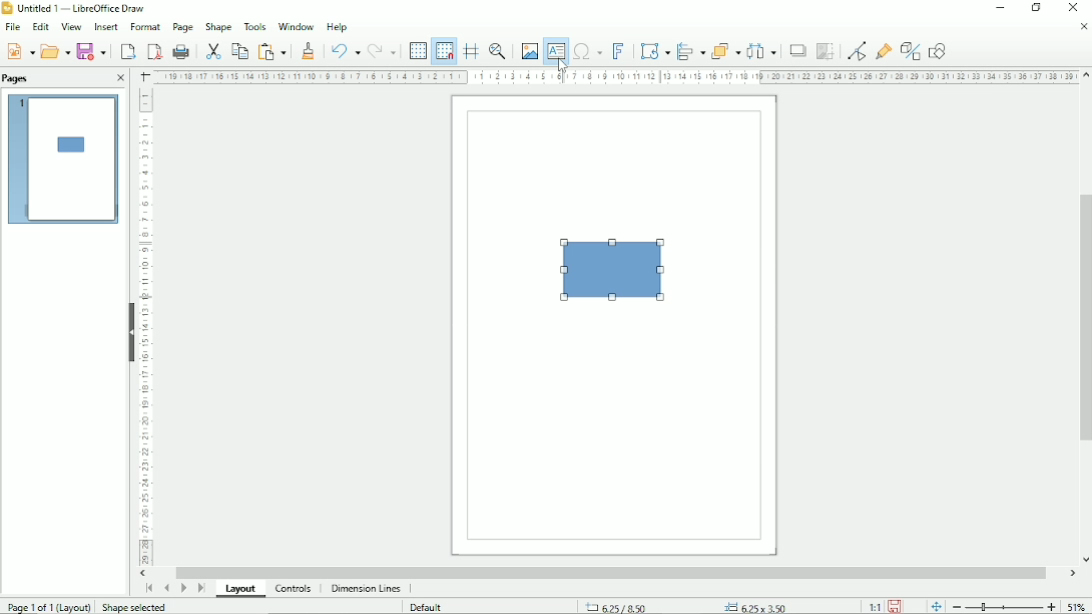 The height and width of the screenshot is (614, 1092). I want to click on Zoom out/in, so click(1005, 607).